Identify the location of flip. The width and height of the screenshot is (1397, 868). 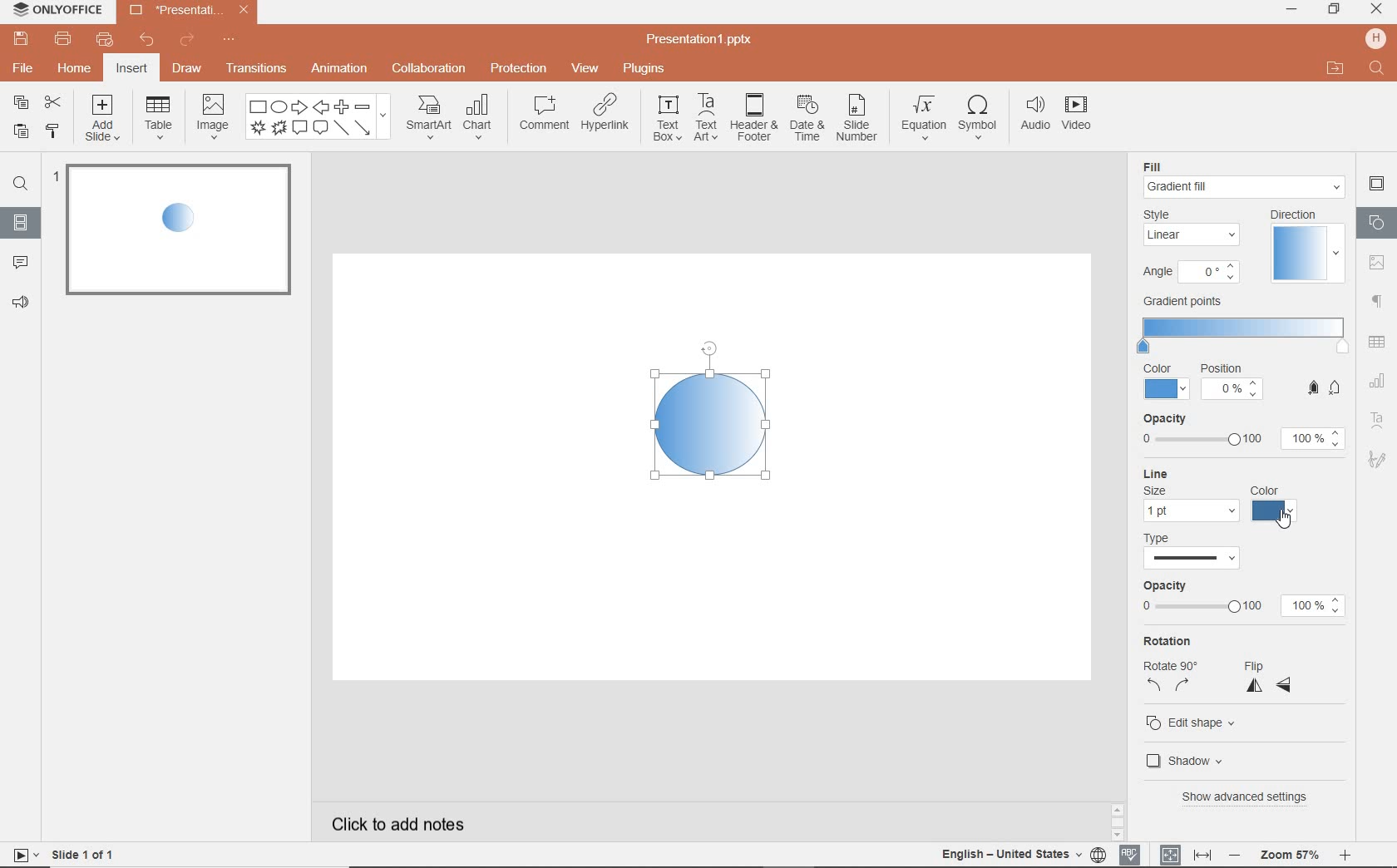
(1270, 664).